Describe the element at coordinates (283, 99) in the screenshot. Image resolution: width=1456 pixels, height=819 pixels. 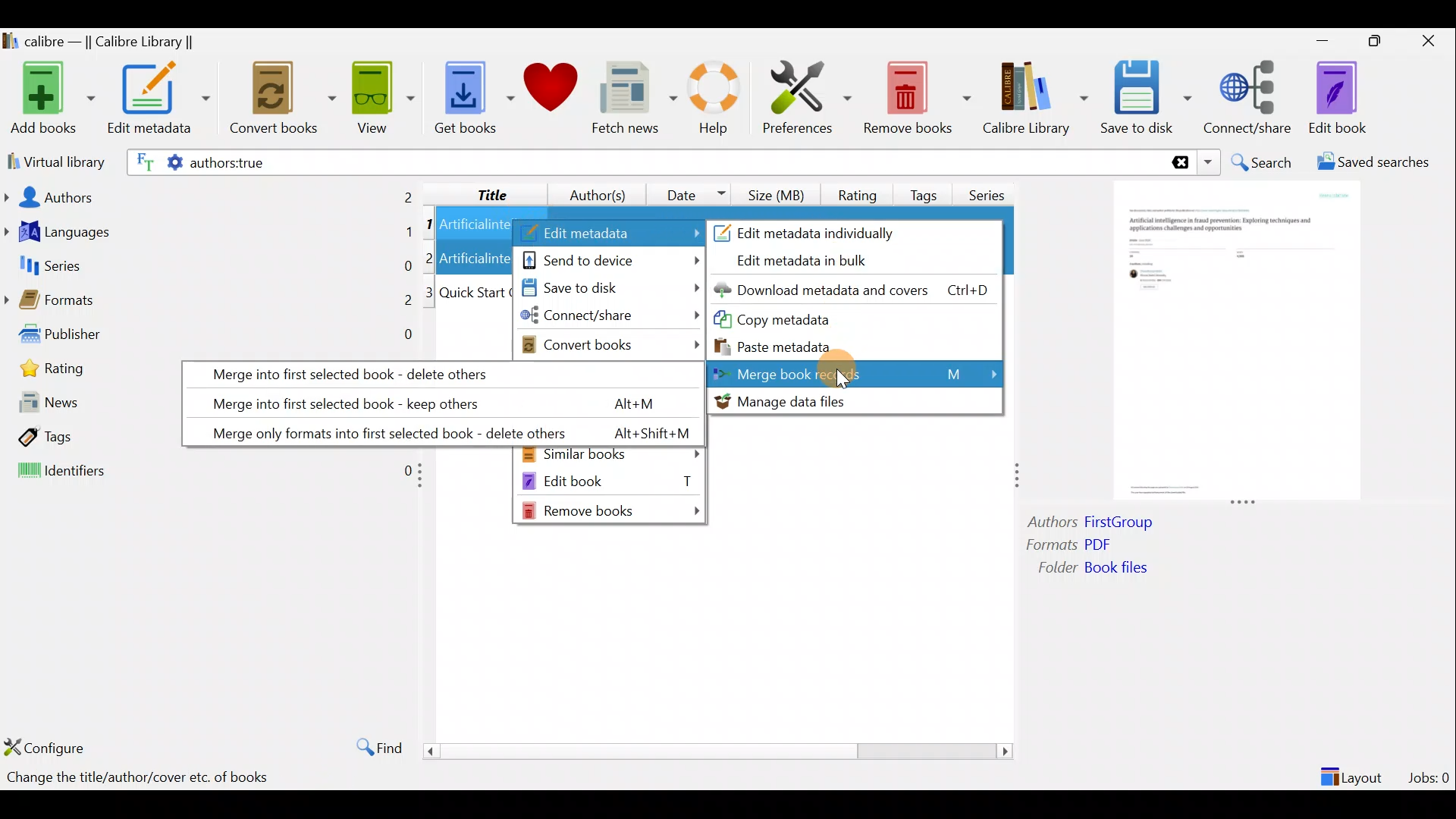
I see `Convert books` at that location.